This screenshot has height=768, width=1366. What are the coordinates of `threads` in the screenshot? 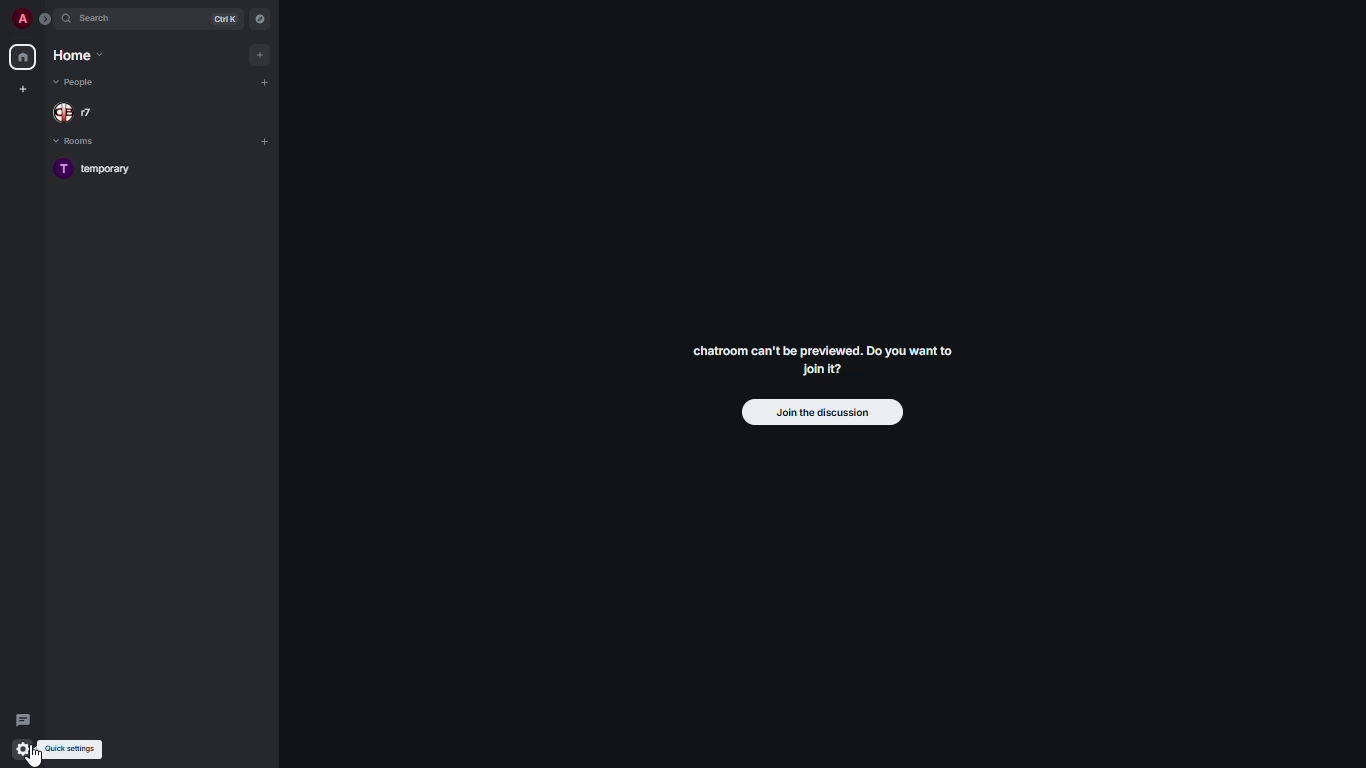 It's located at (24, 718).